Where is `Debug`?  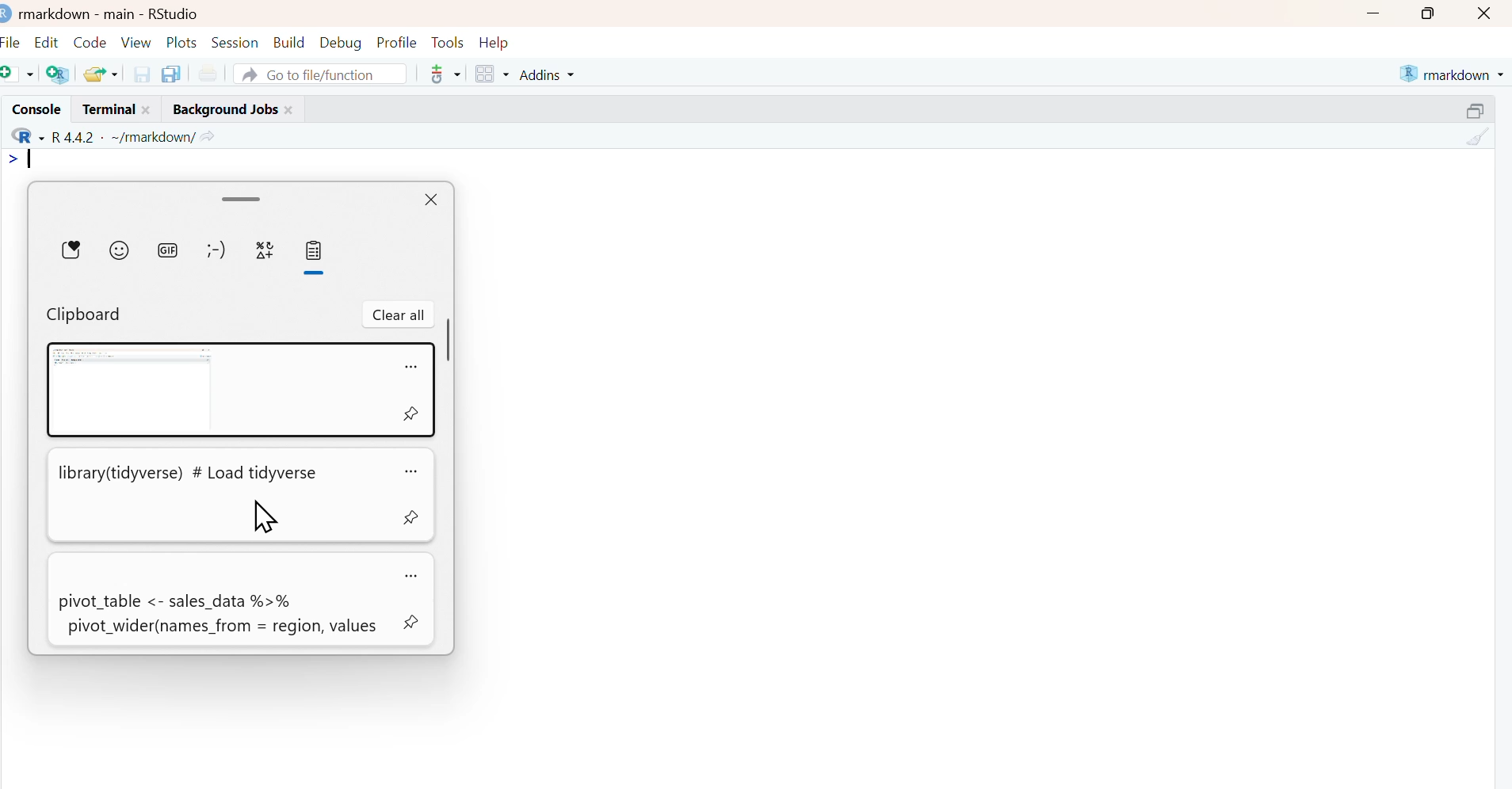
Debug is located at coordinates (341, 40).